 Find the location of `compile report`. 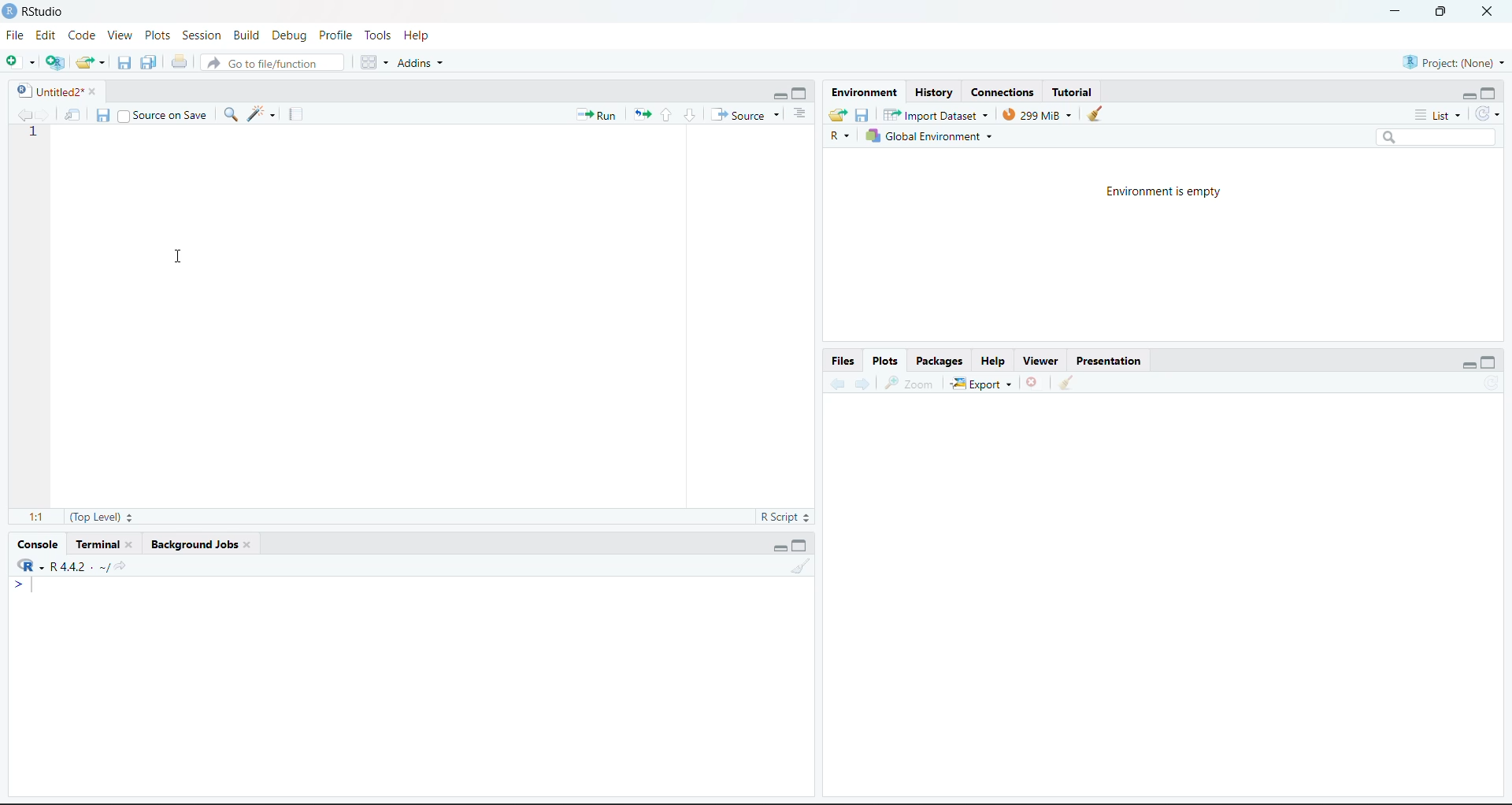

compile report is located at coordinates (294, 113).